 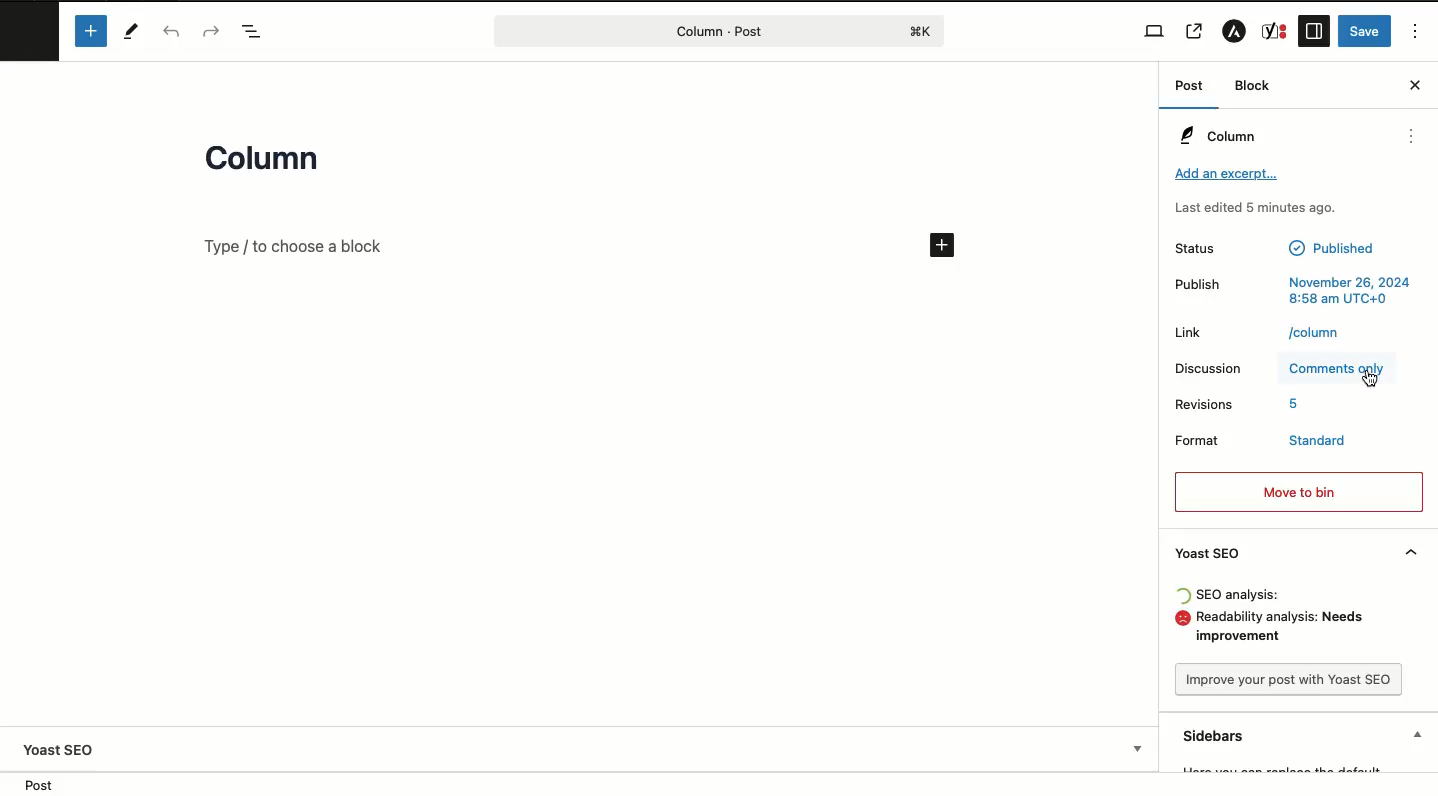 What do you see at coordinates (1254, 85) in the screenshot?
I see `Block` at bounding box center [1254, 85].